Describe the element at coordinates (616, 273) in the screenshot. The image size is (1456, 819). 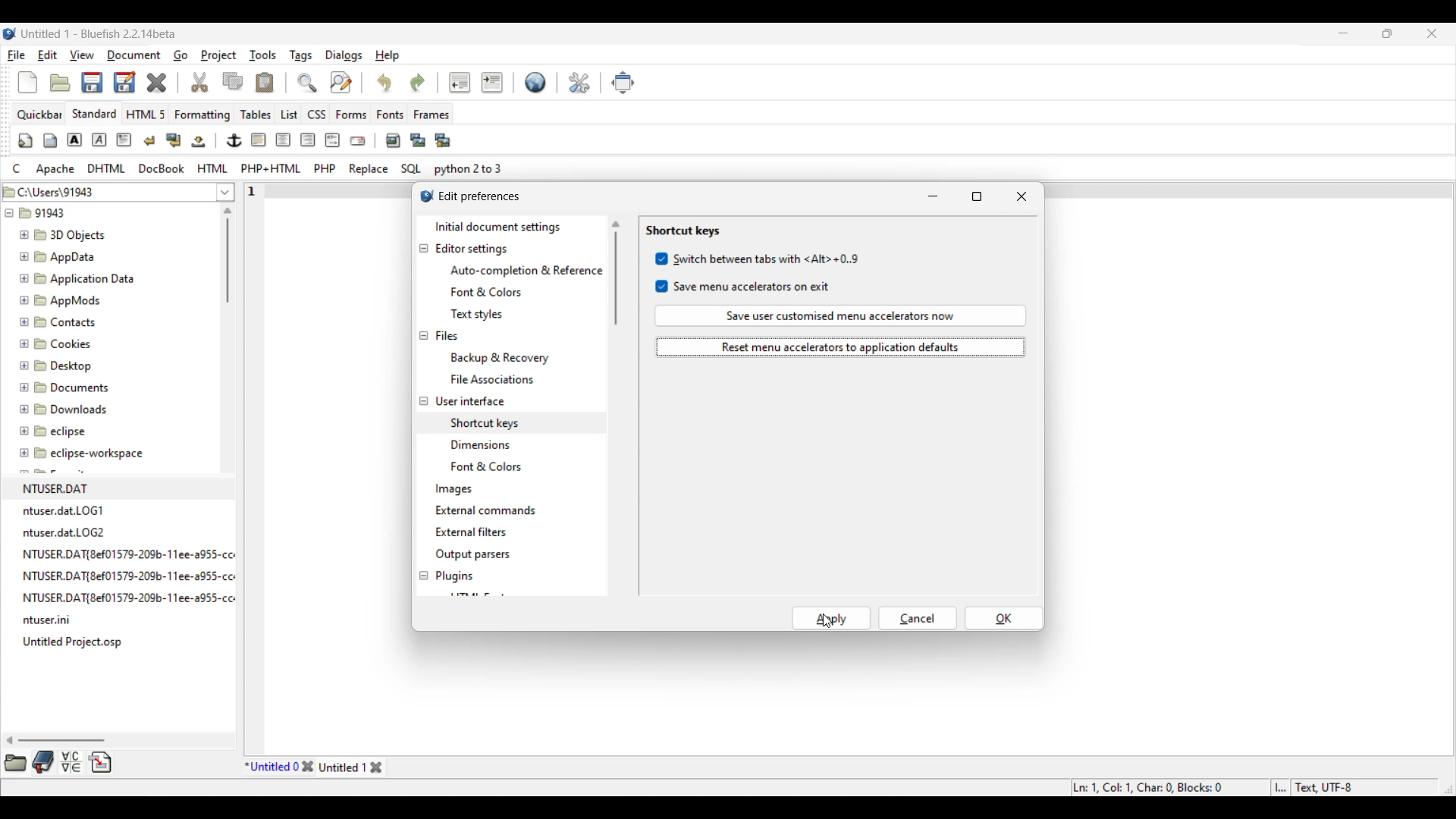
I see `Vertical slide bar` at that location.